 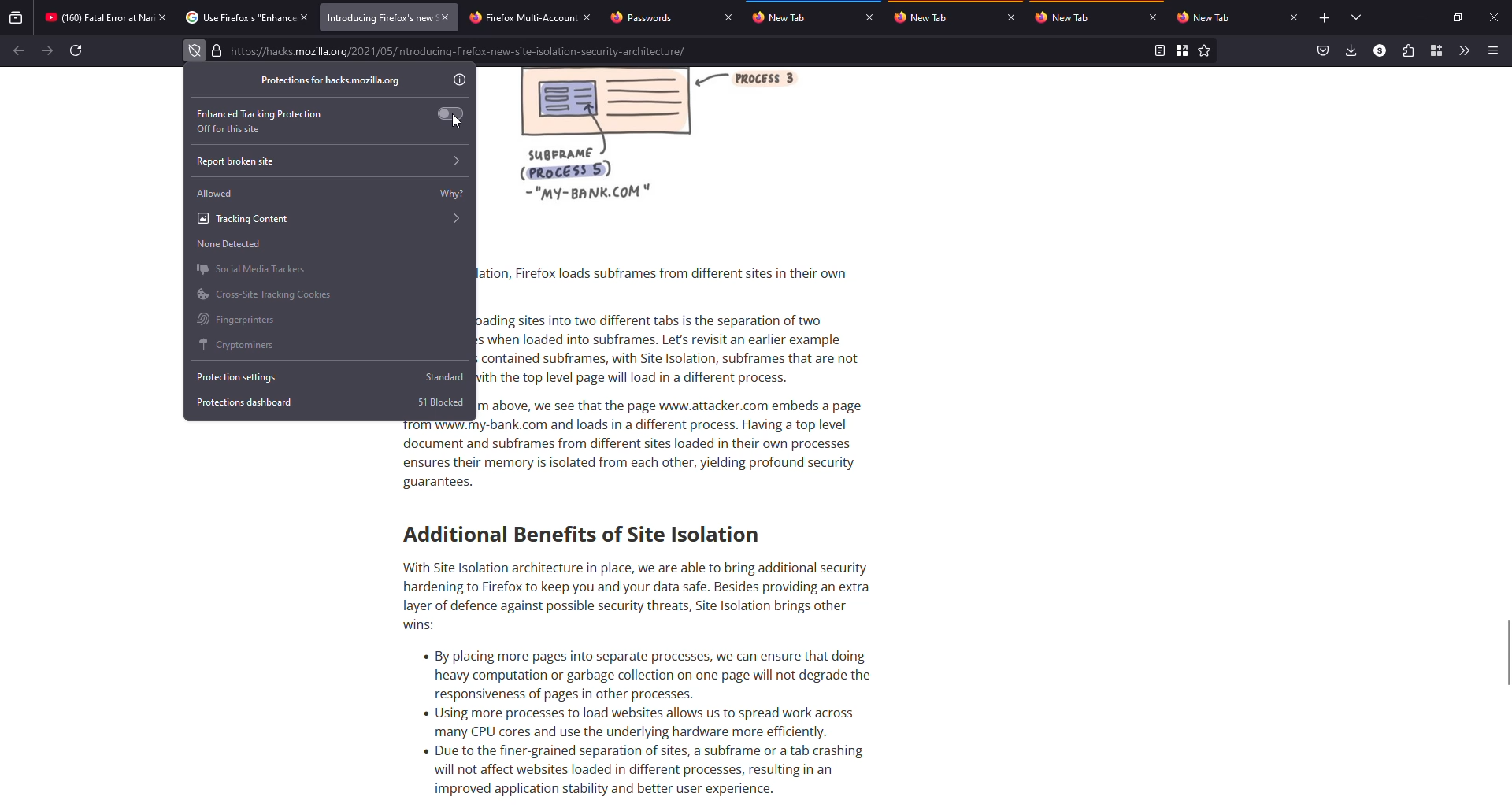 What do you see at coordinates (1295, 17) in the screenshot?
I see `close` at bounding box center [1295, 17].